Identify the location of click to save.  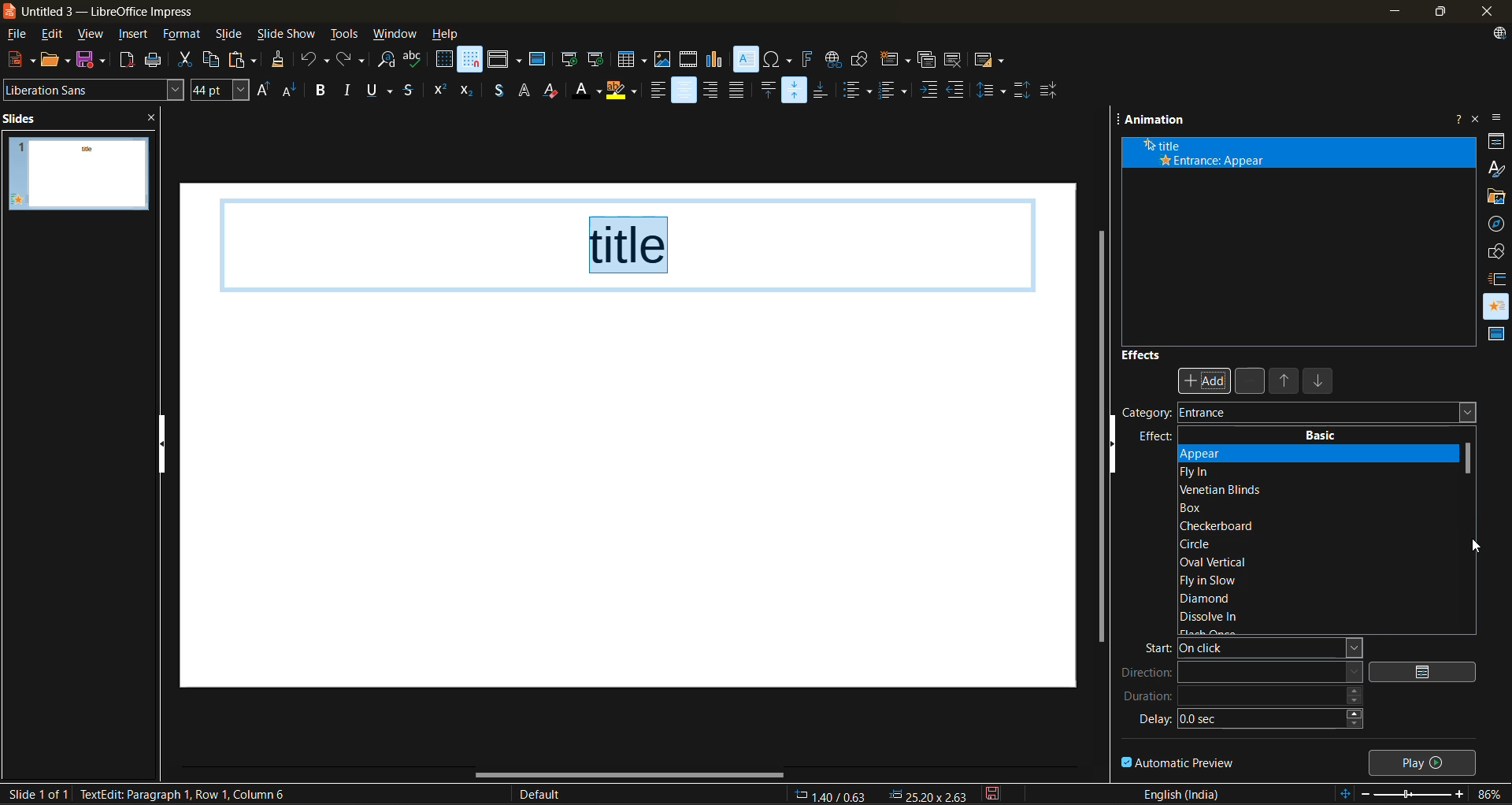
(995, 793).